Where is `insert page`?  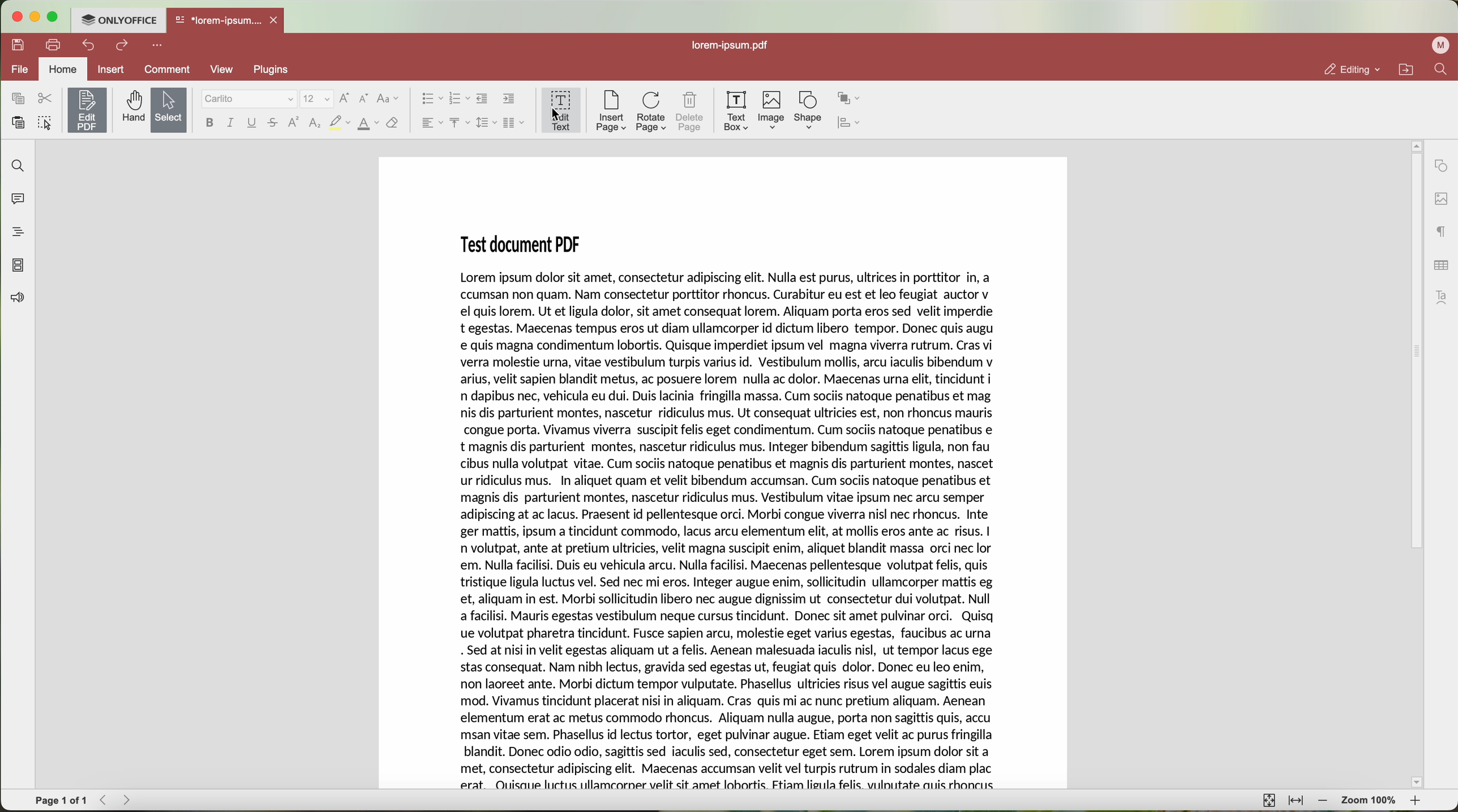 insert page is located at coordinates (612, 112).